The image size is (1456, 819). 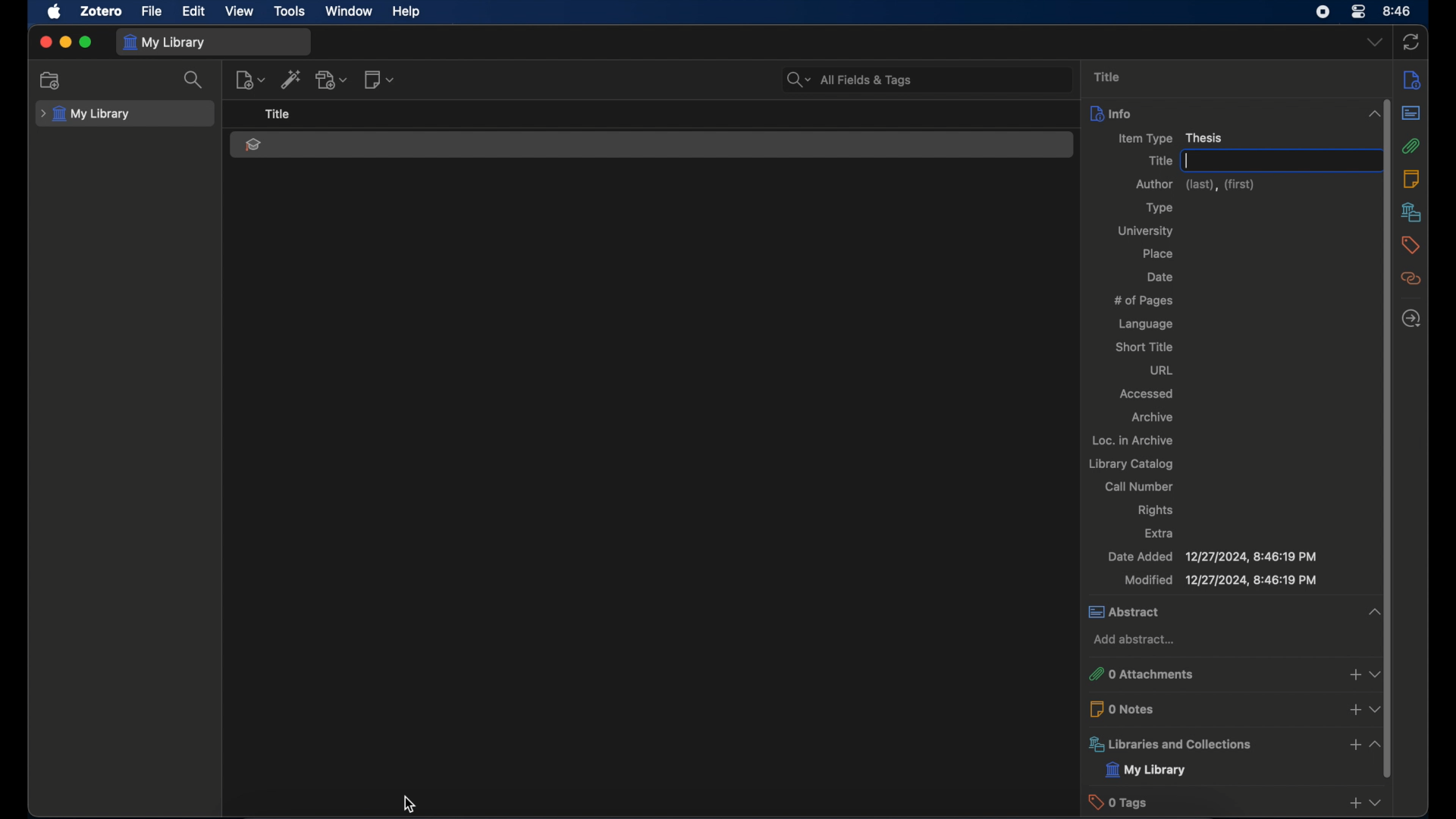 I want to click on 0 tags, so click(x=1210, y=802).